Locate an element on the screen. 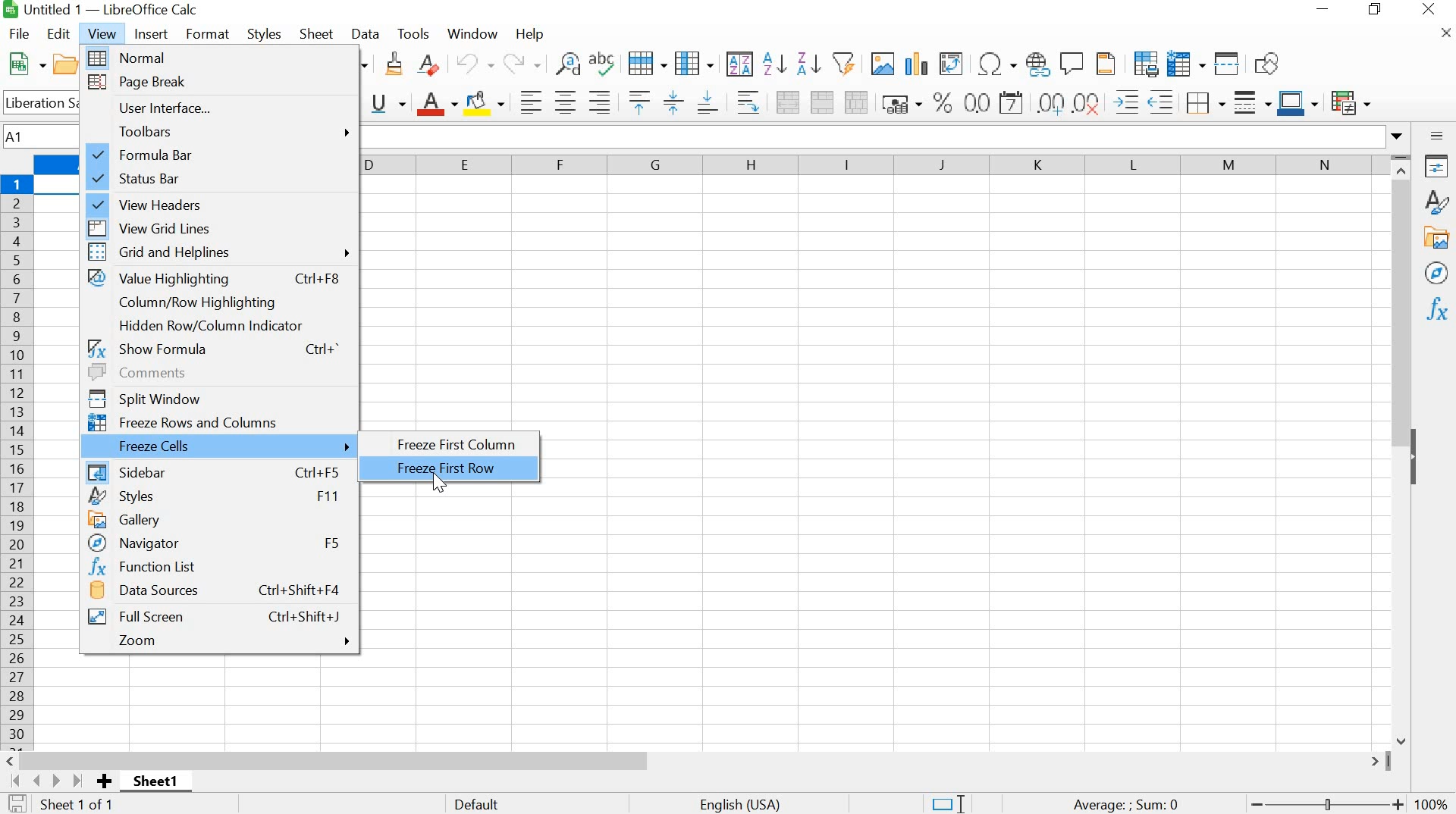  ZOOM OUT OR ZOOM IN is located at coordinates (1324, 805).